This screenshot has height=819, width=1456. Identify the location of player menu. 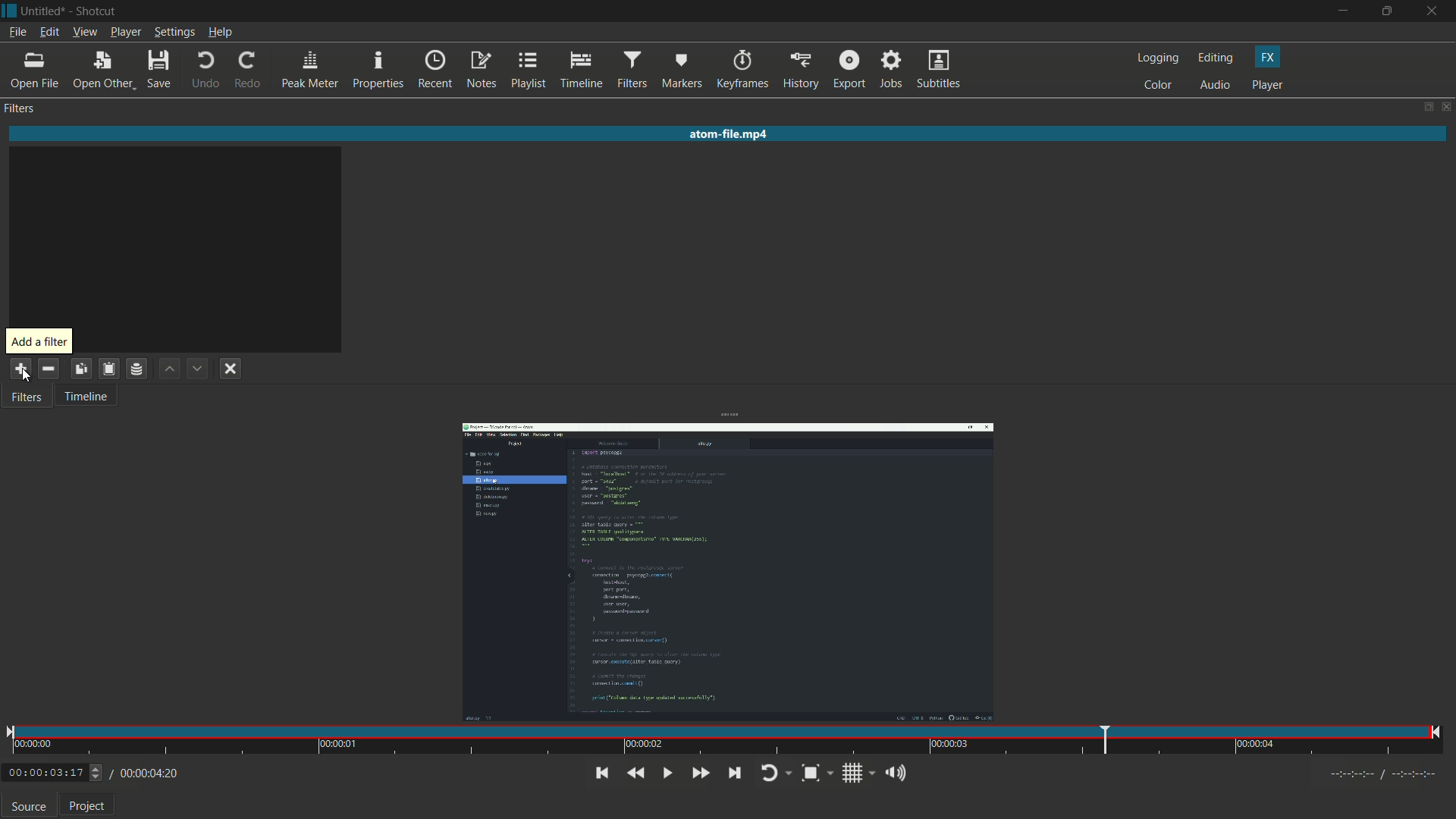
(126, 32).